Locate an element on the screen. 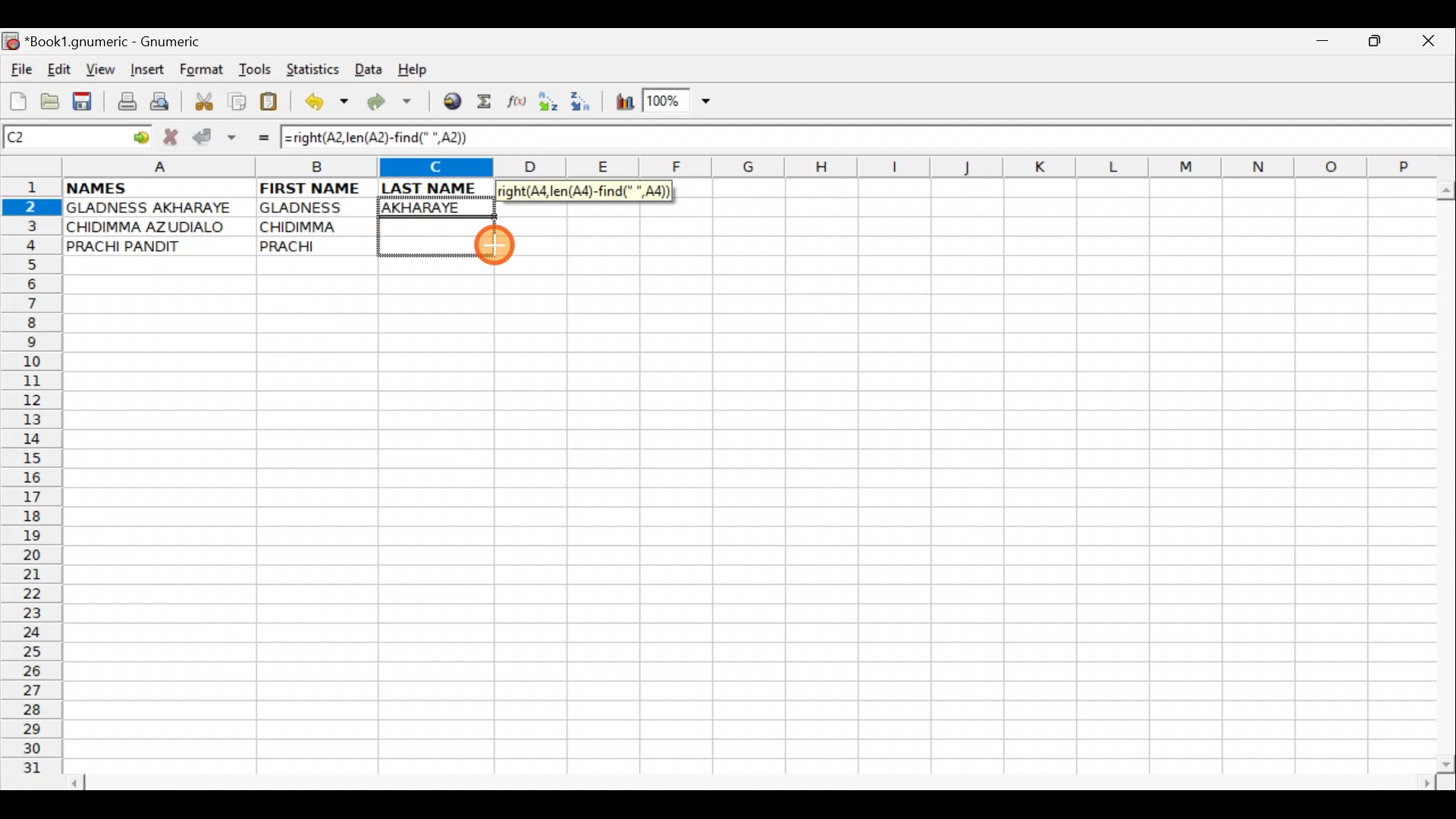 This screenshot has width=1456, height=819. CHIDIMMA AZUDIALO is located at coordinates (152, 227).